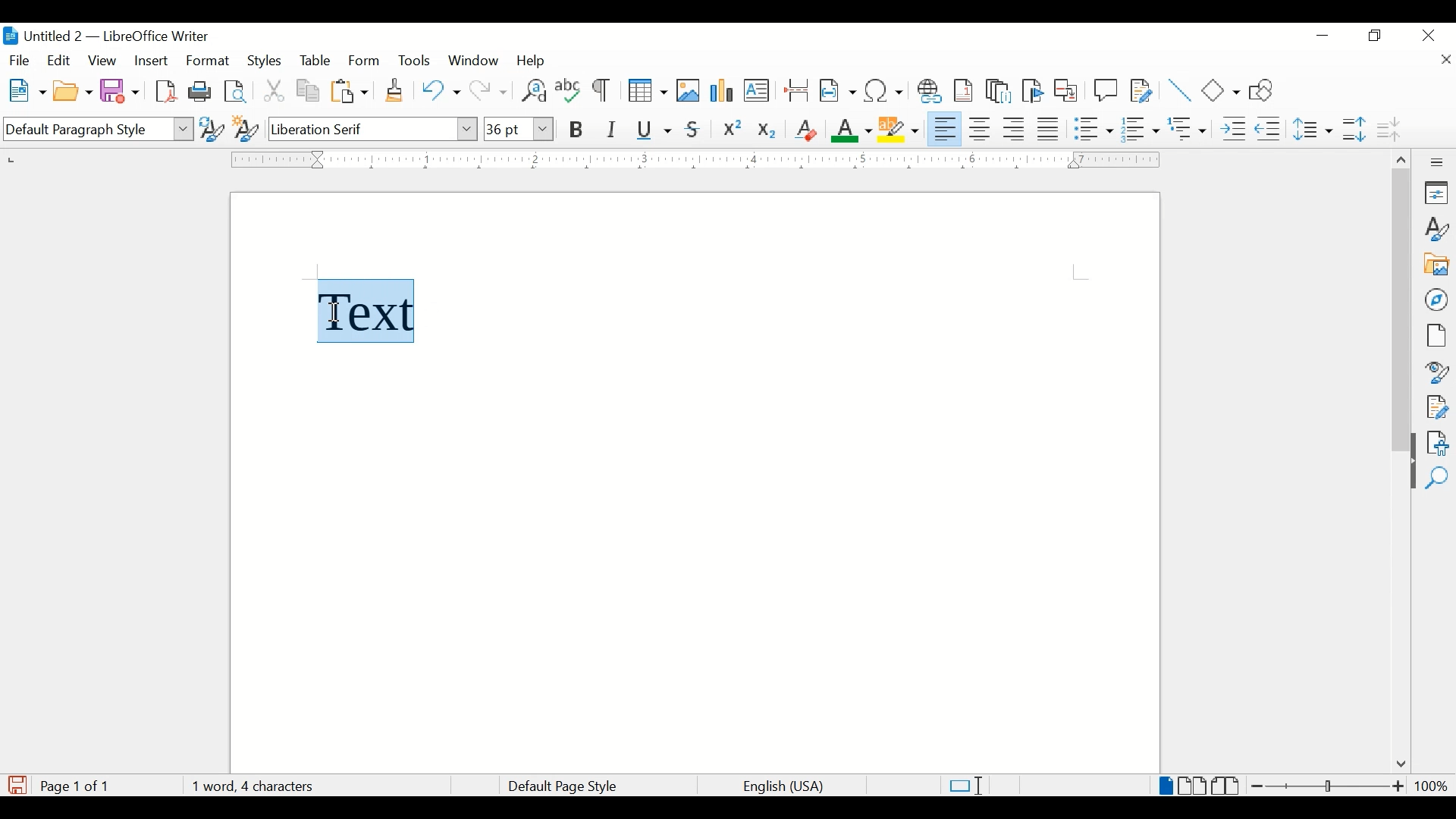 This screenshot has height=819, width=1456. Describe the element at coordinates (414, 60) in the screenshot. I see `tools` at that location.